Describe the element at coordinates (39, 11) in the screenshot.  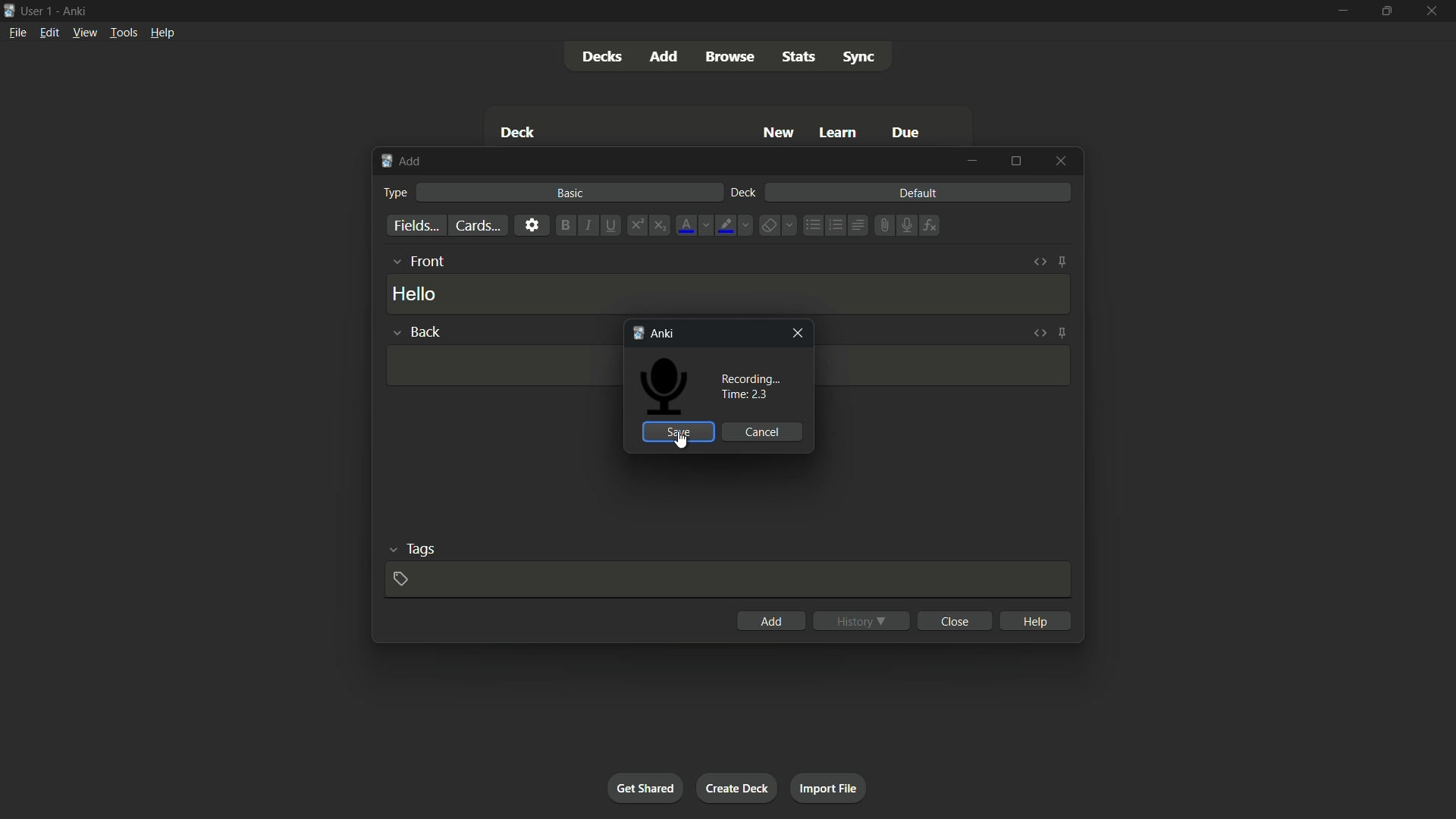
I see `user 1` at that location.